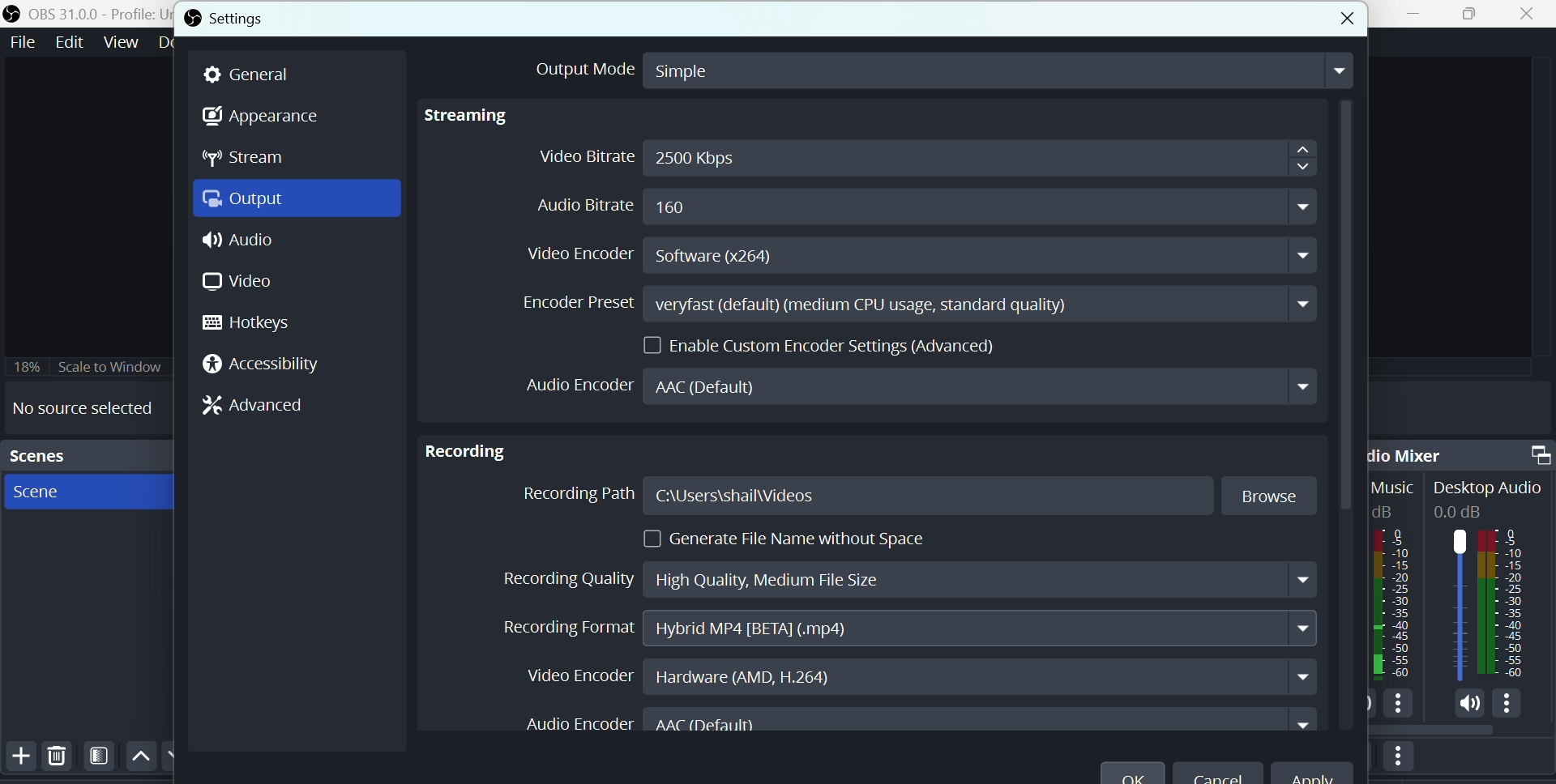 The width and height of the screenshot is (1556, 784). Describe the element at coordinates (251, 324) in the screenshot. I see `hotkeys` at that location.